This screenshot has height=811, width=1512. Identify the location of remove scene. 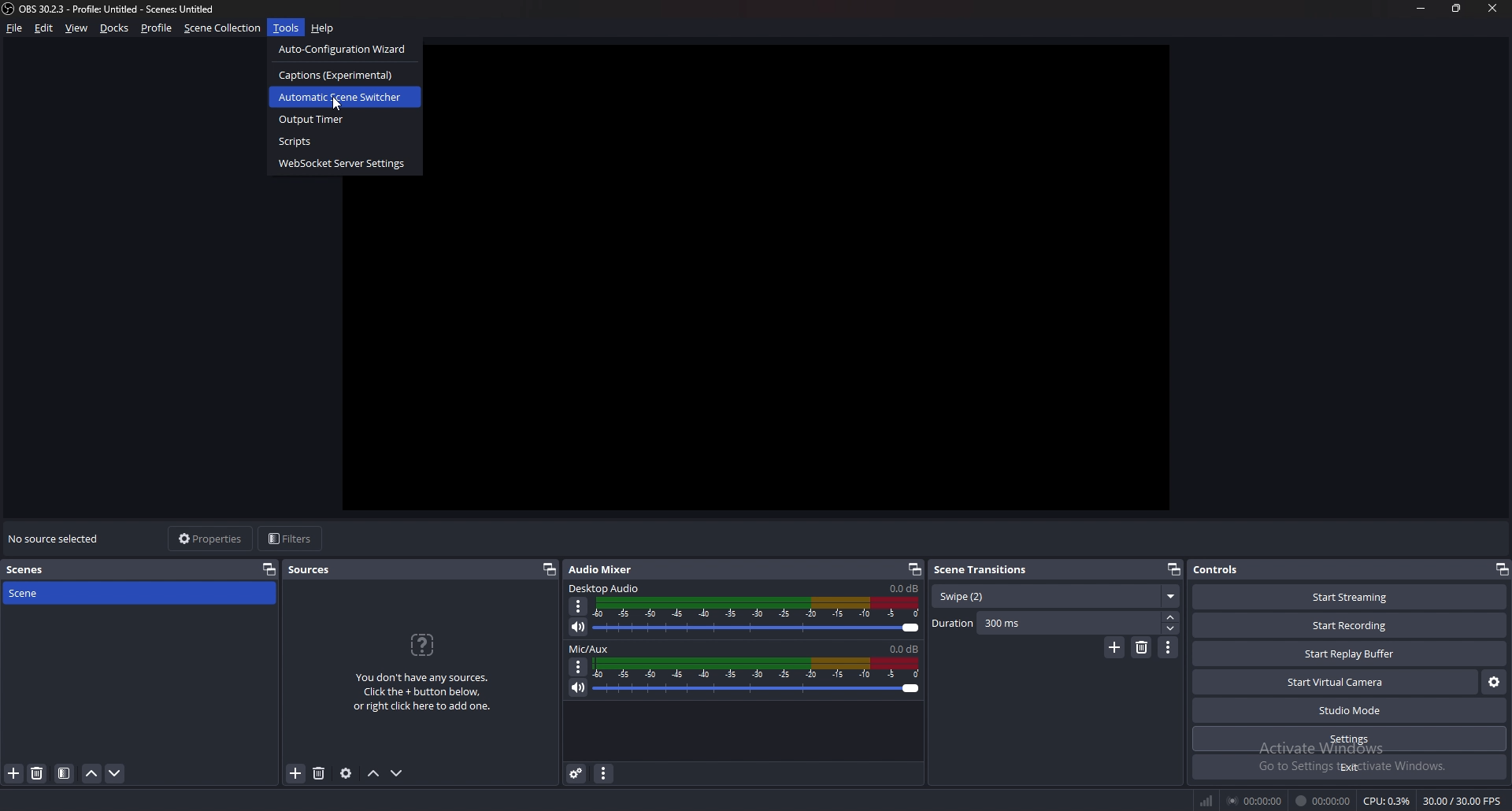
(37, 773).